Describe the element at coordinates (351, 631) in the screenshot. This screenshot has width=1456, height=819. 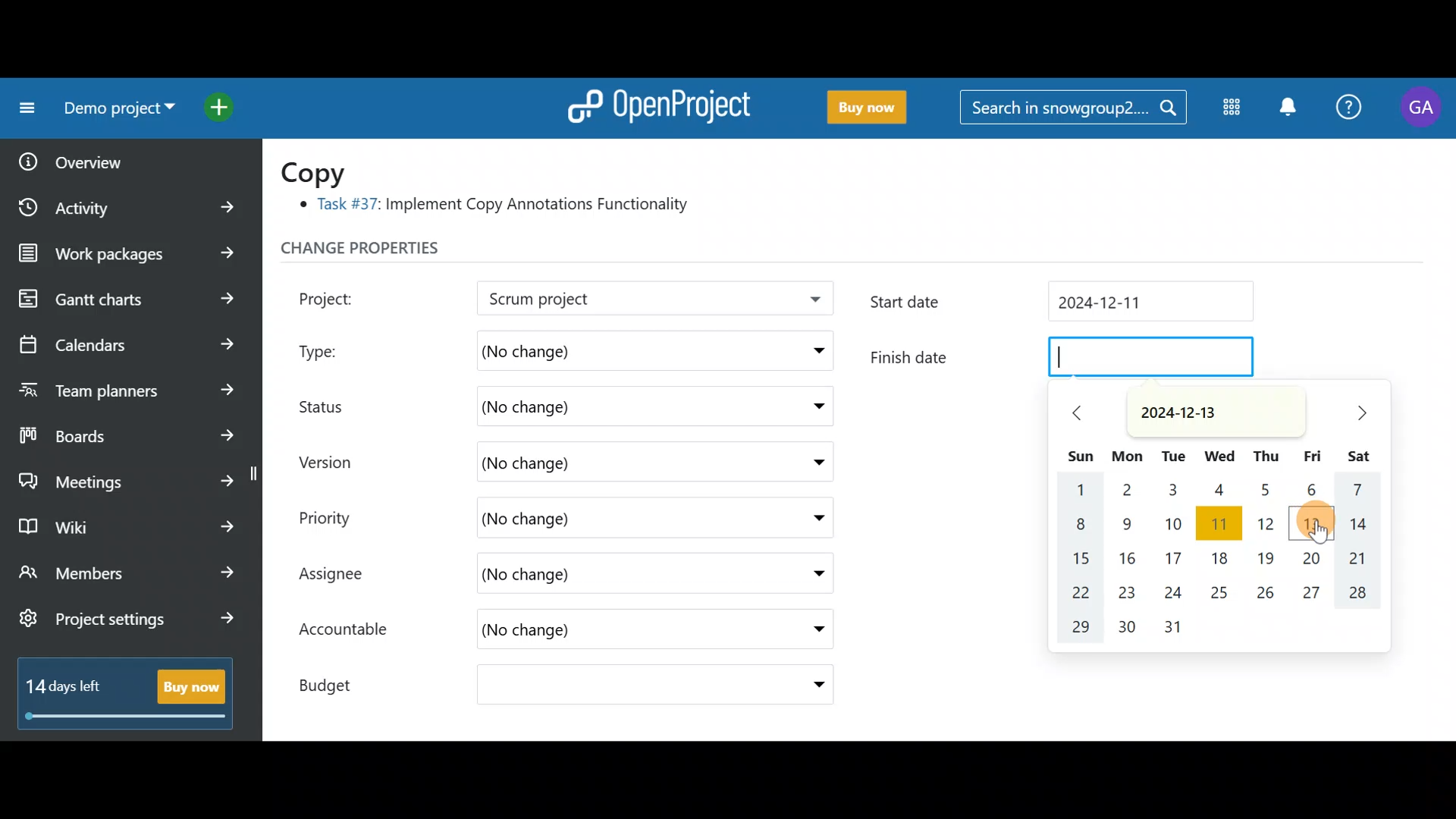
I see `Accountable` at that location.